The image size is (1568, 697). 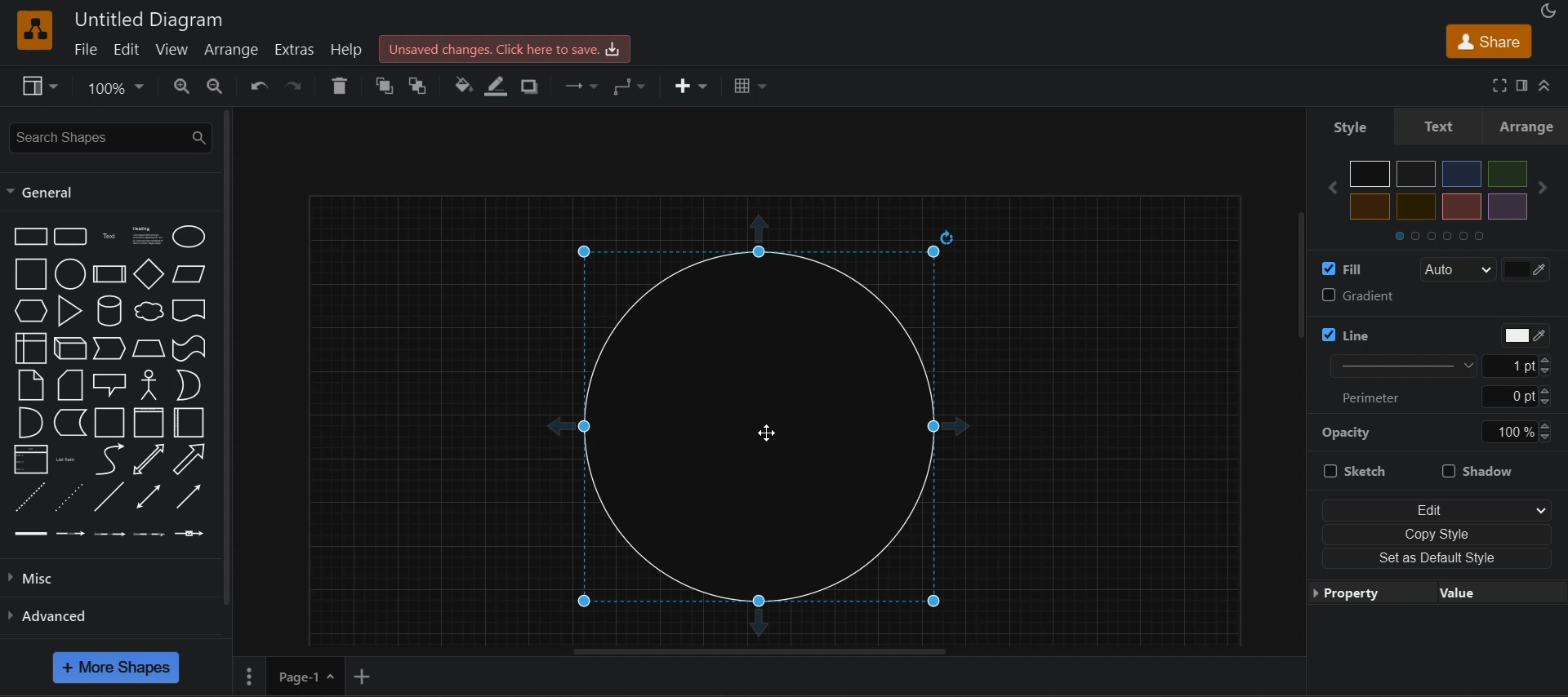 I want to click on horizontal container, so click(x=191, y=423).